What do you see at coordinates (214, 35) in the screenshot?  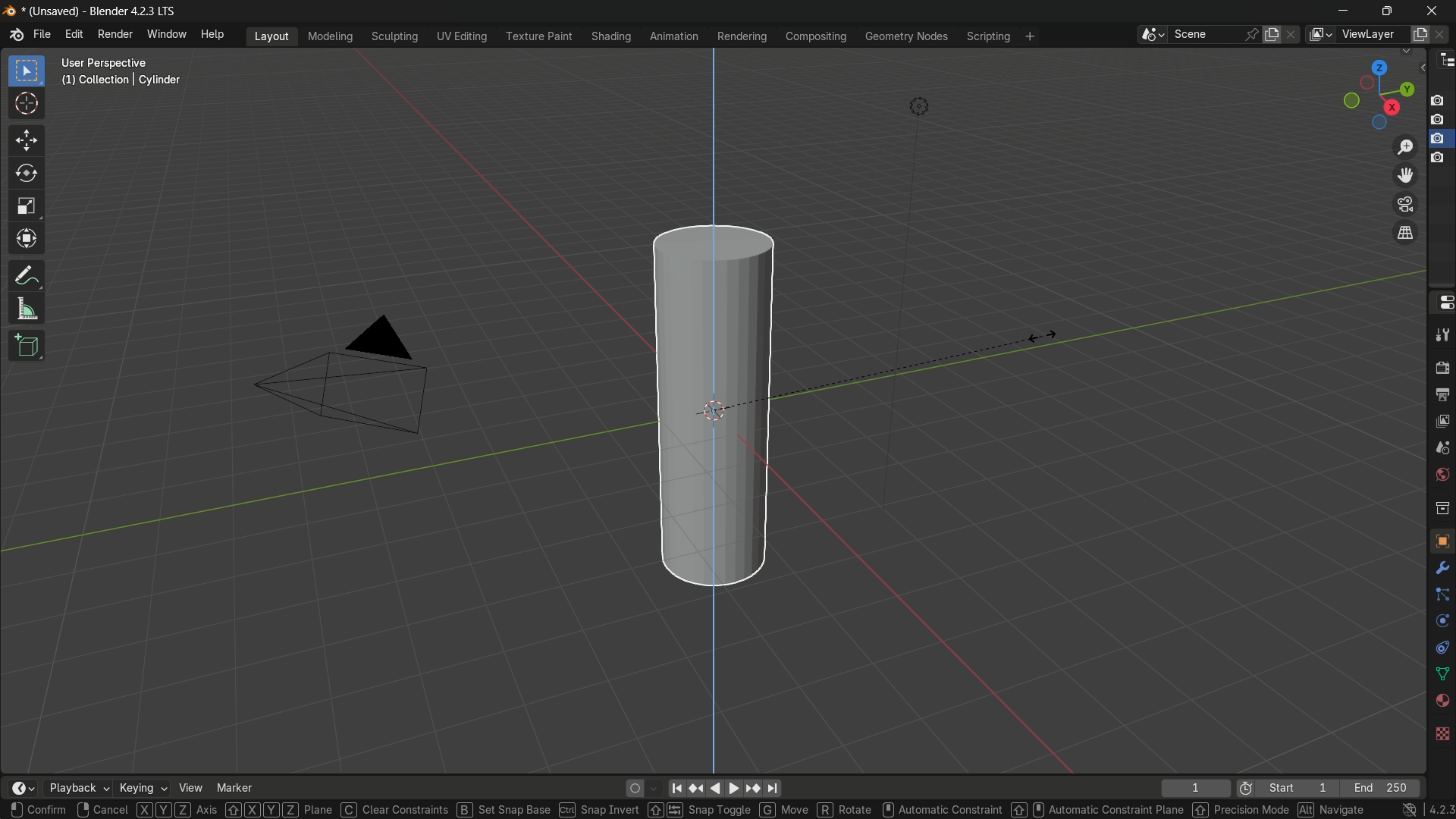 I see `help menu` at bounding box center [214, 35].